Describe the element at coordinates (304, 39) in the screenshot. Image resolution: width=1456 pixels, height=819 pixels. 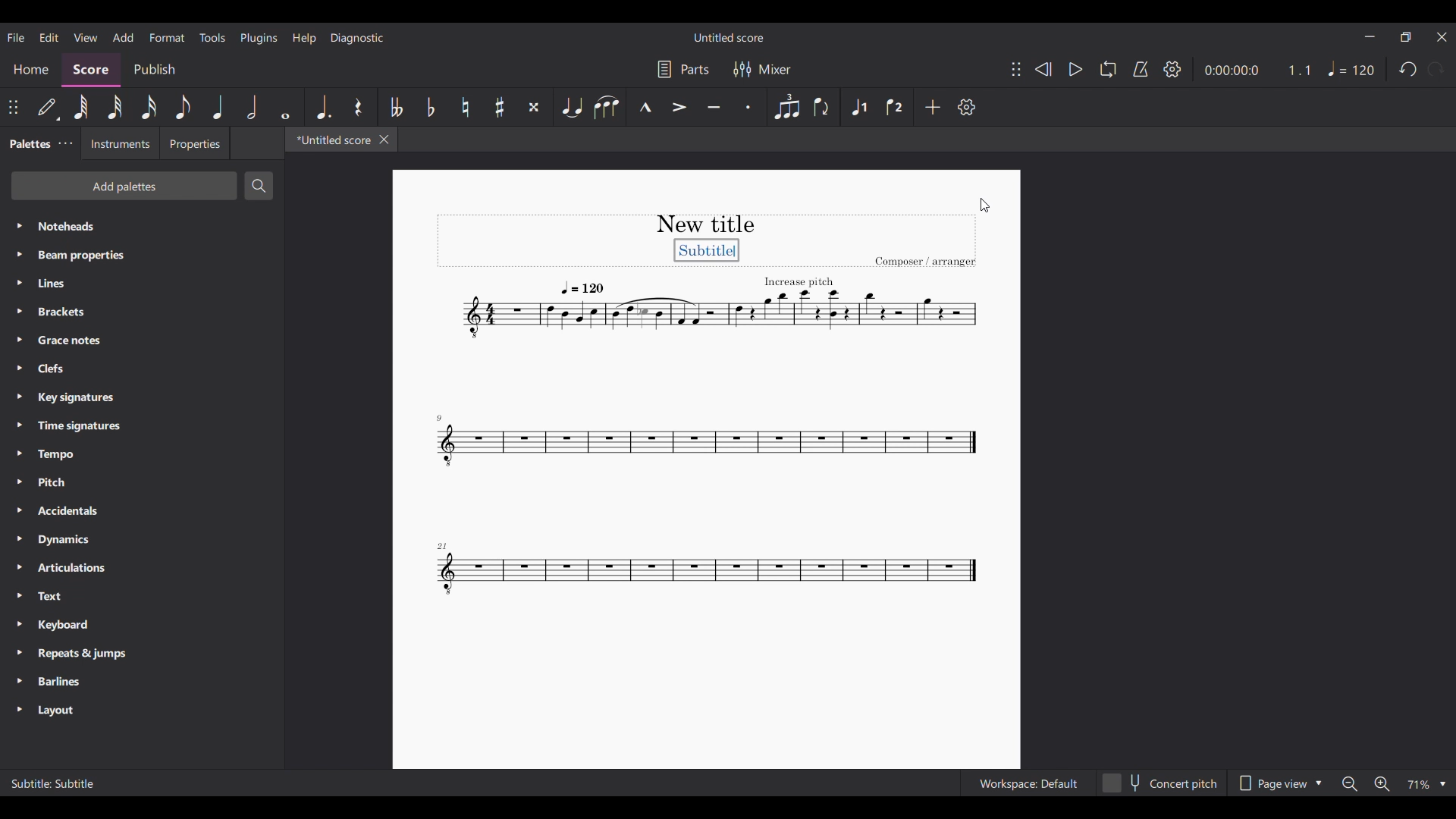
I see `Help menu` at that location.